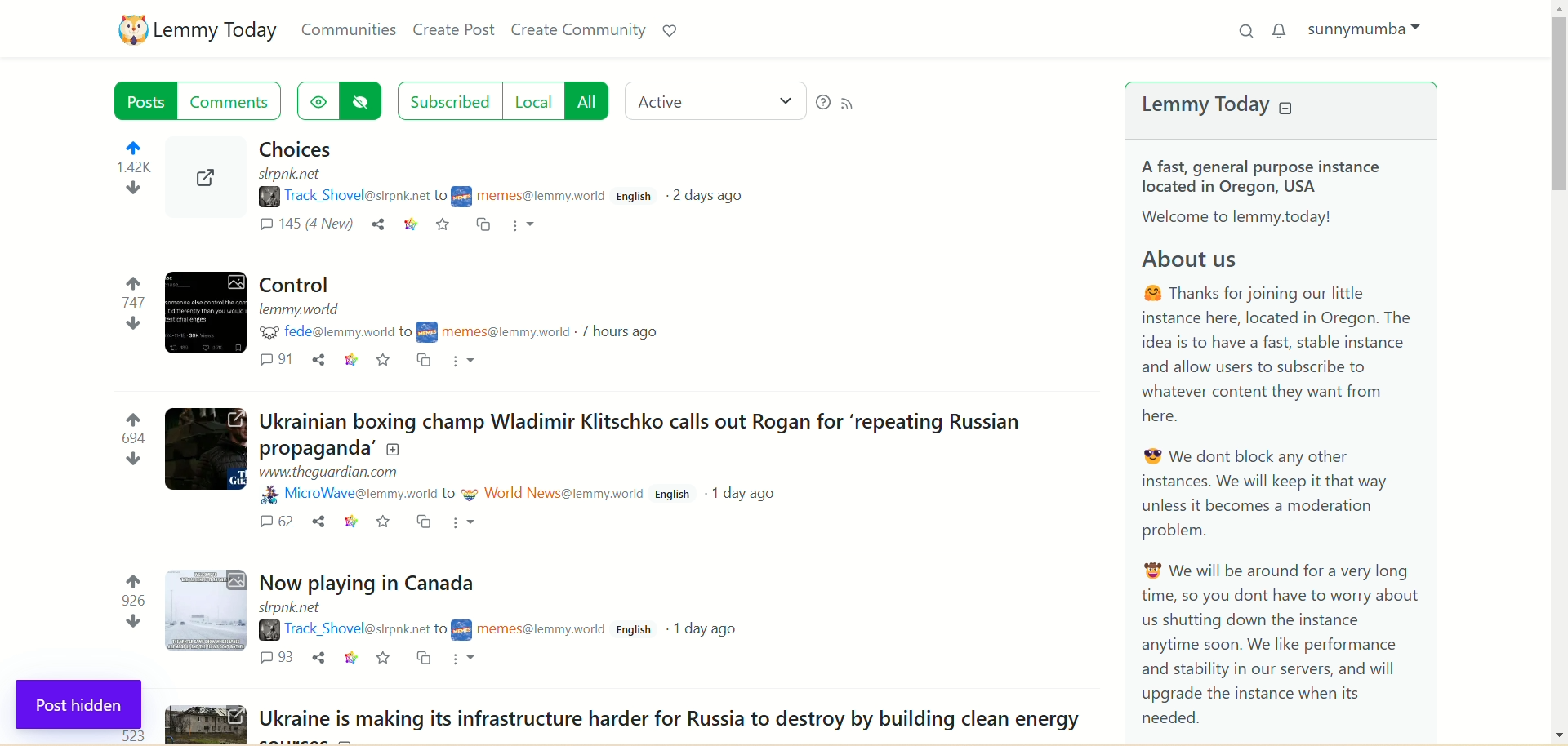  Describe the element at coordinates (350, 195) in the screenshot. I see `username` at that location.